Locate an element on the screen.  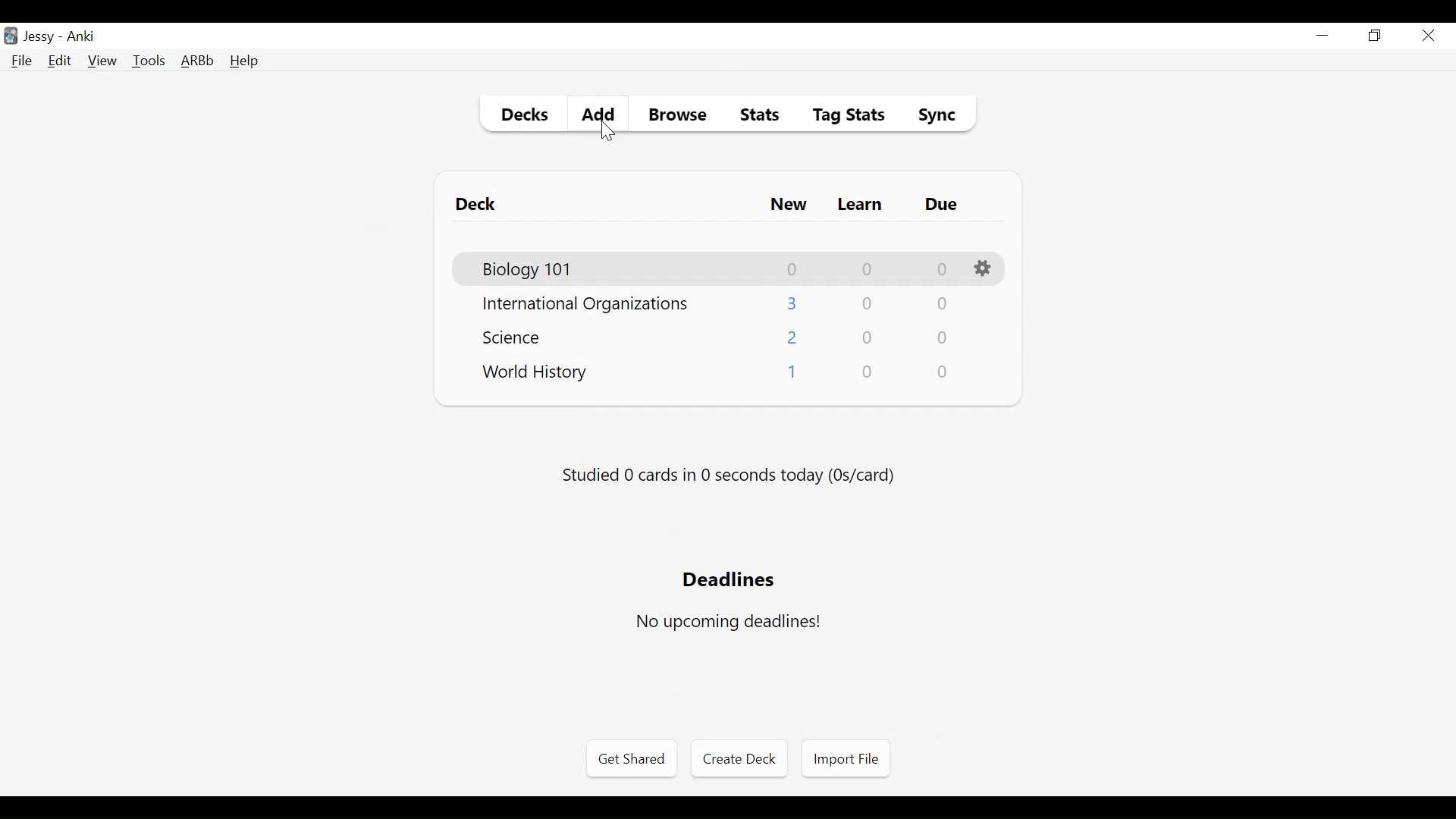
New Card Count is located at coordinates (791, 375).